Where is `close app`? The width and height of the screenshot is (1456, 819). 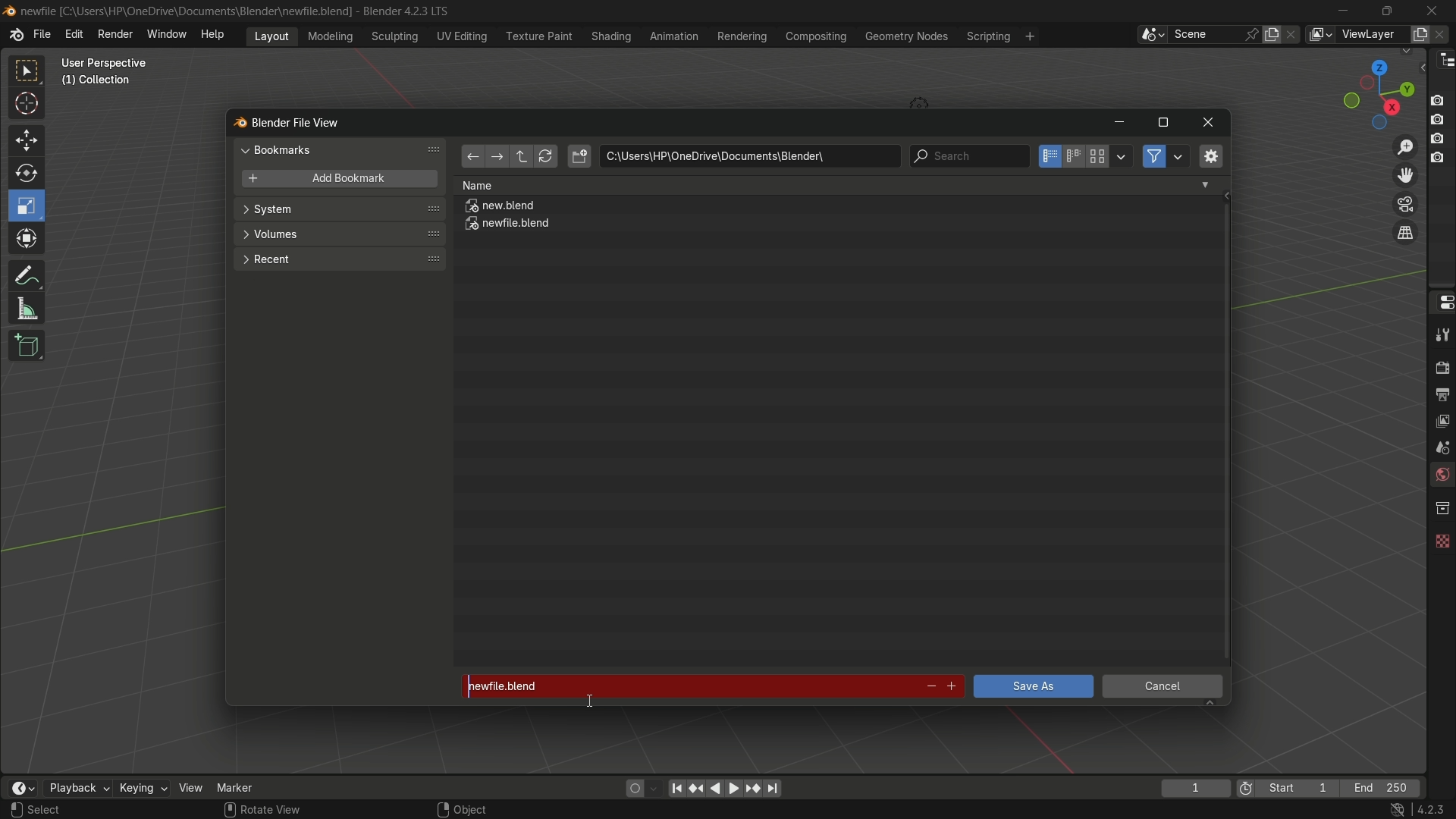 close app is located at coordinates (1432, 10).